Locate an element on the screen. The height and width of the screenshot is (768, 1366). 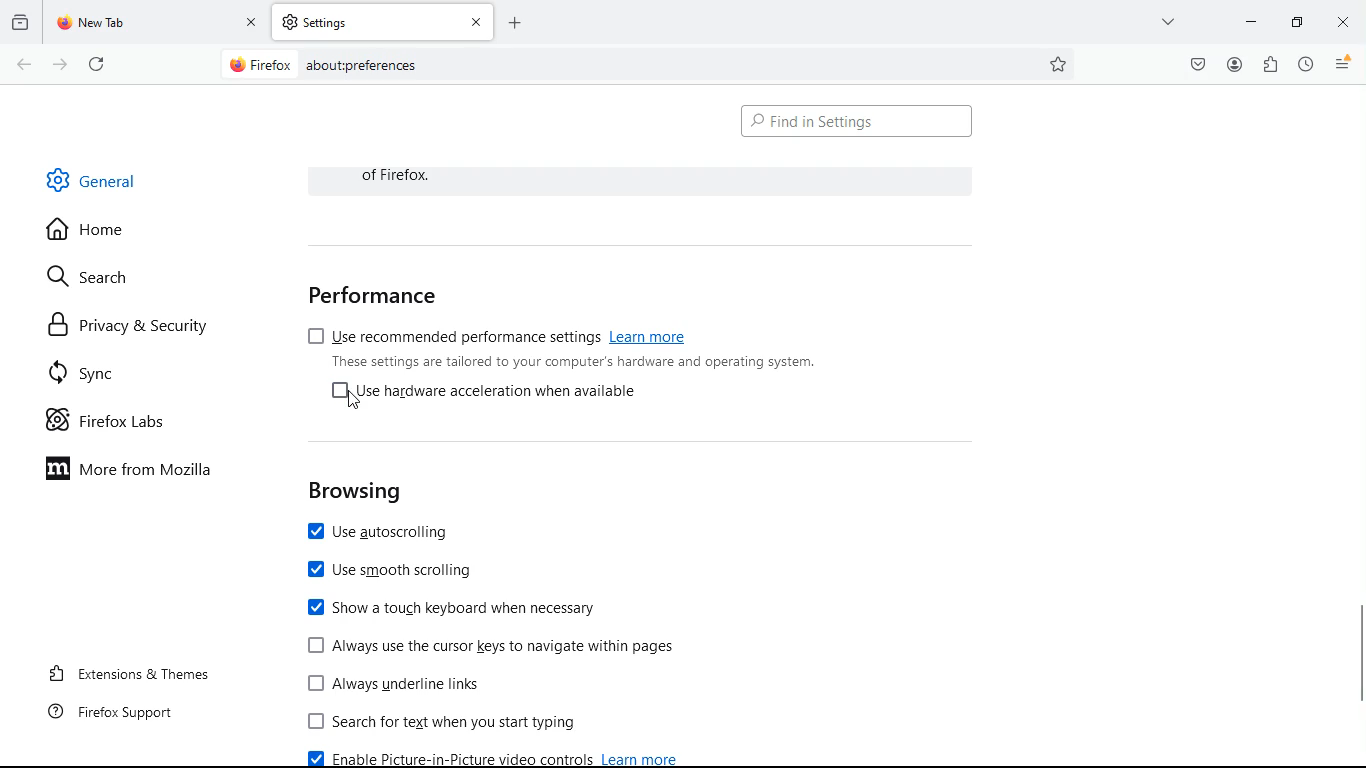
more from mozilla is located at coordinates (141, 472).